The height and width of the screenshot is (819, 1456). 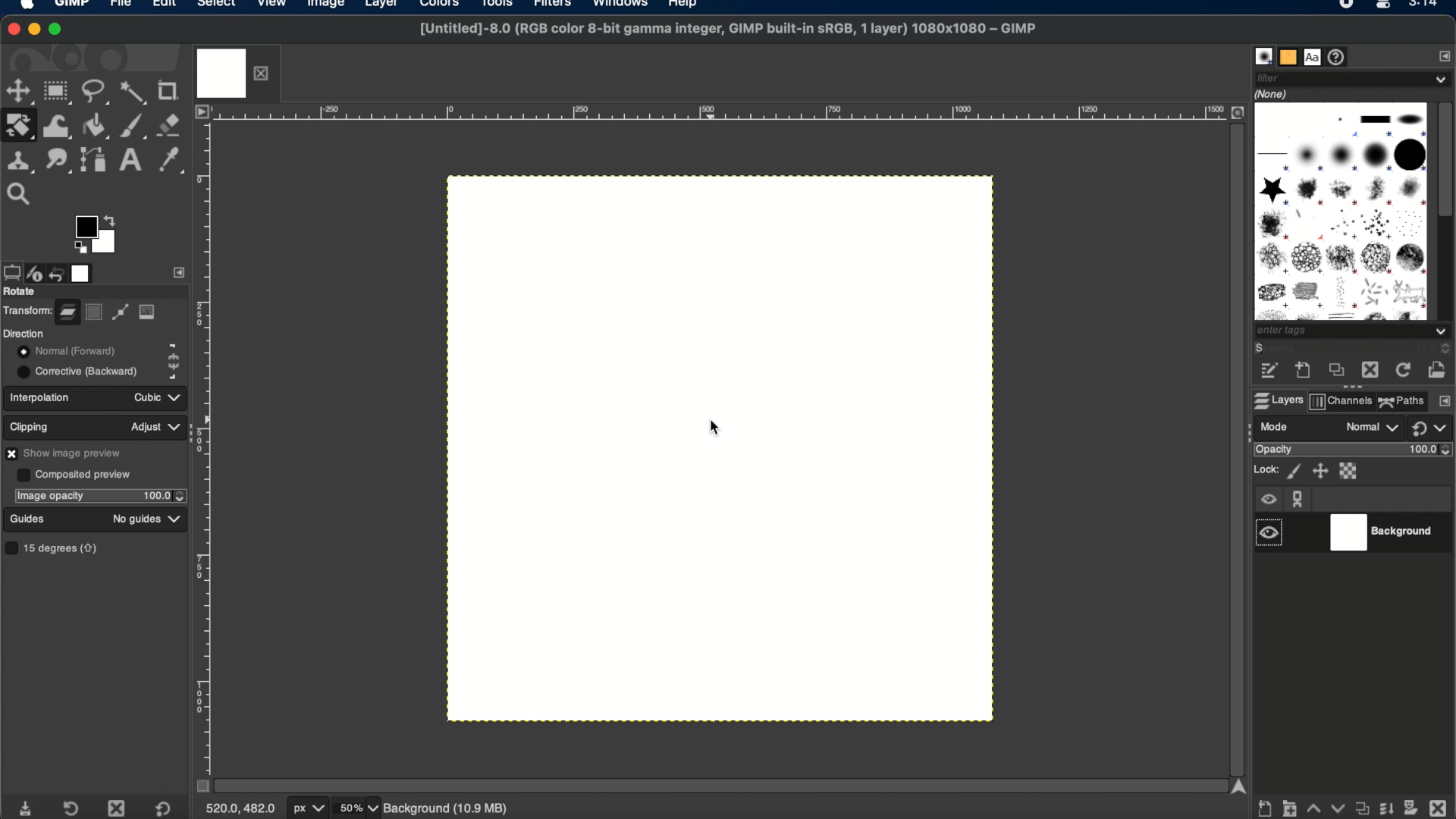 What do you see at coordinates (136, 519) in the screenshot?
I see `no guides` at bounding box center [136, 519].